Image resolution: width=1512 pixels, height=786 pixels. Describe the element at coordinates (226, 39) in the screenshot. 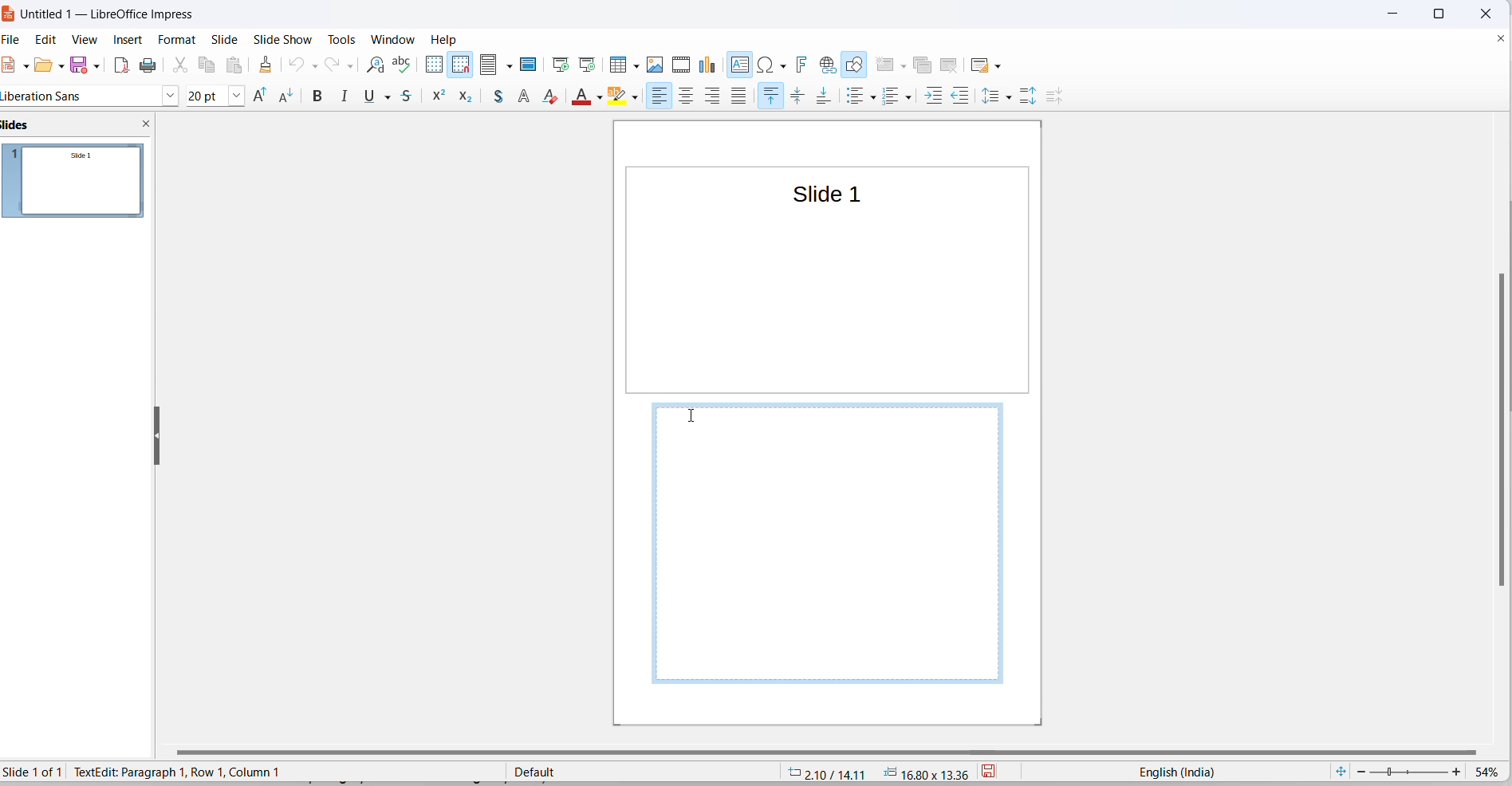

I see `slide` at that location.